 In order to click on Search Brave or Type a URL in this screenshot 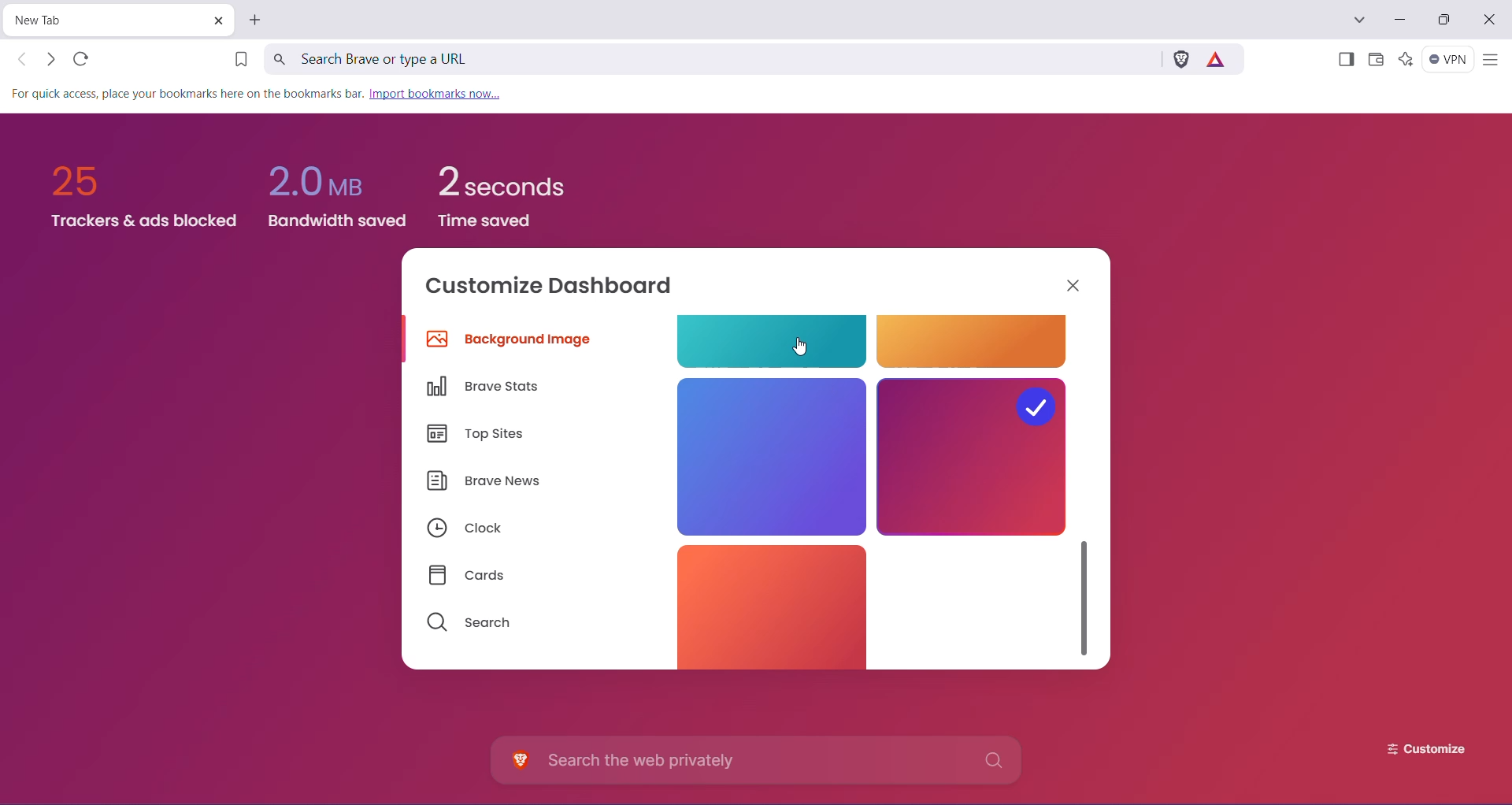, I will do `click(710, 58)`.